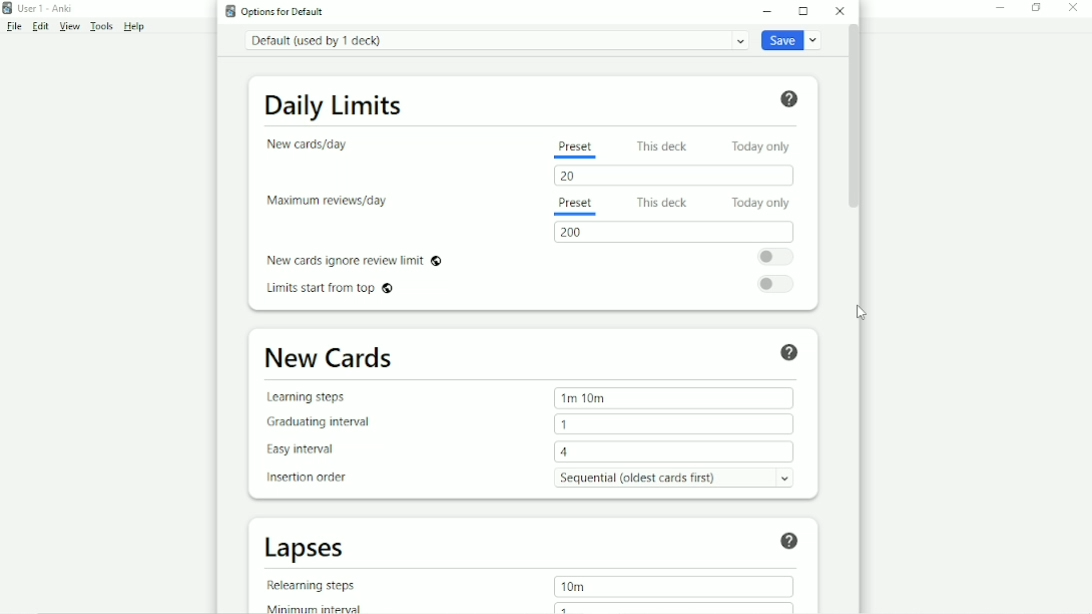  Describe the element at coordinates (14, 27) in the screenshot. I see `File` at that location.